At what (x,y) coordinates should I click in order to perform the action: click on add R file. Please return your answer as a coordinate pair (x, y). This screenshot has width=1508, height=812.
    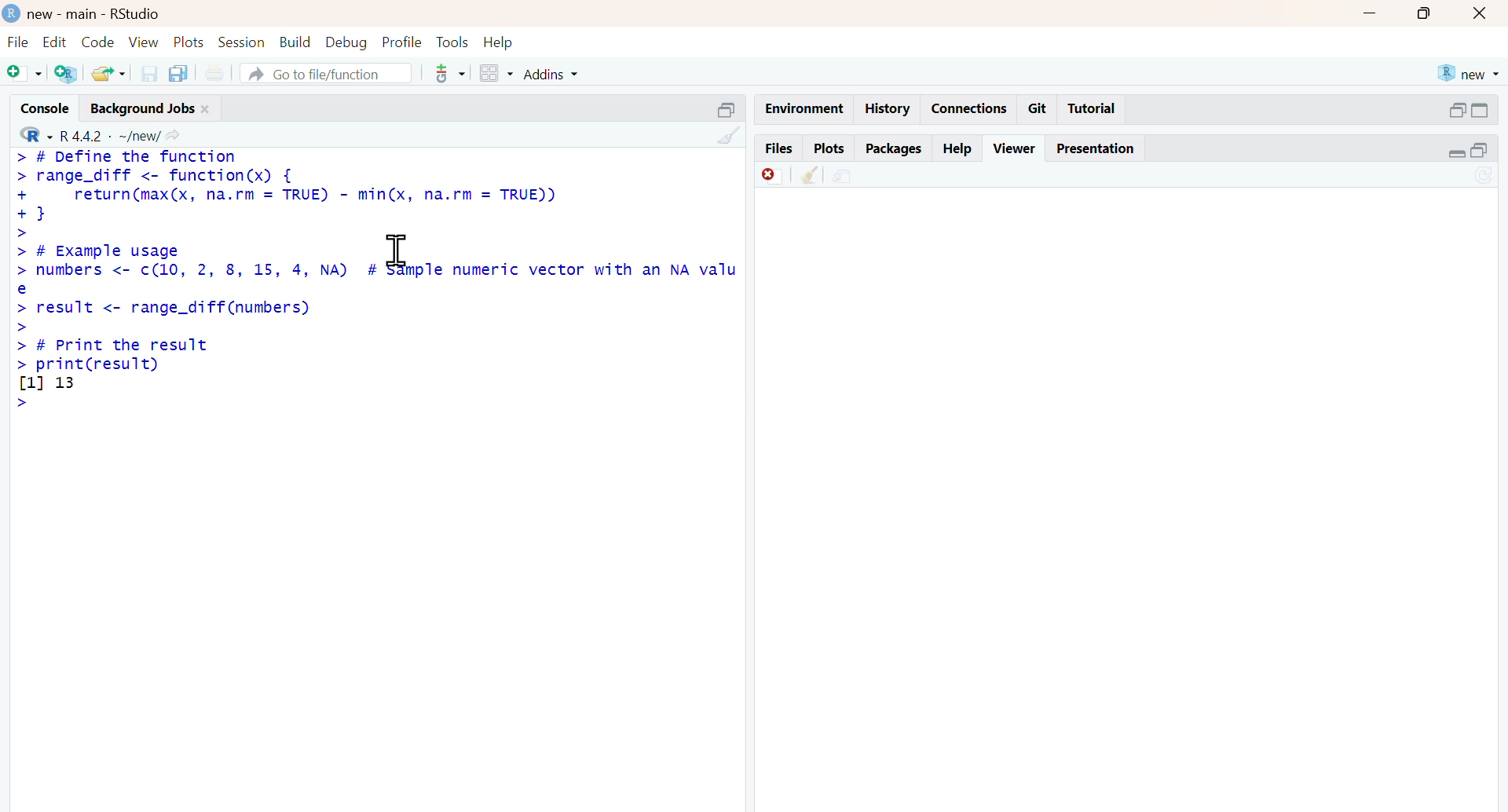
    Looking at the image, I should click on (68, 75).